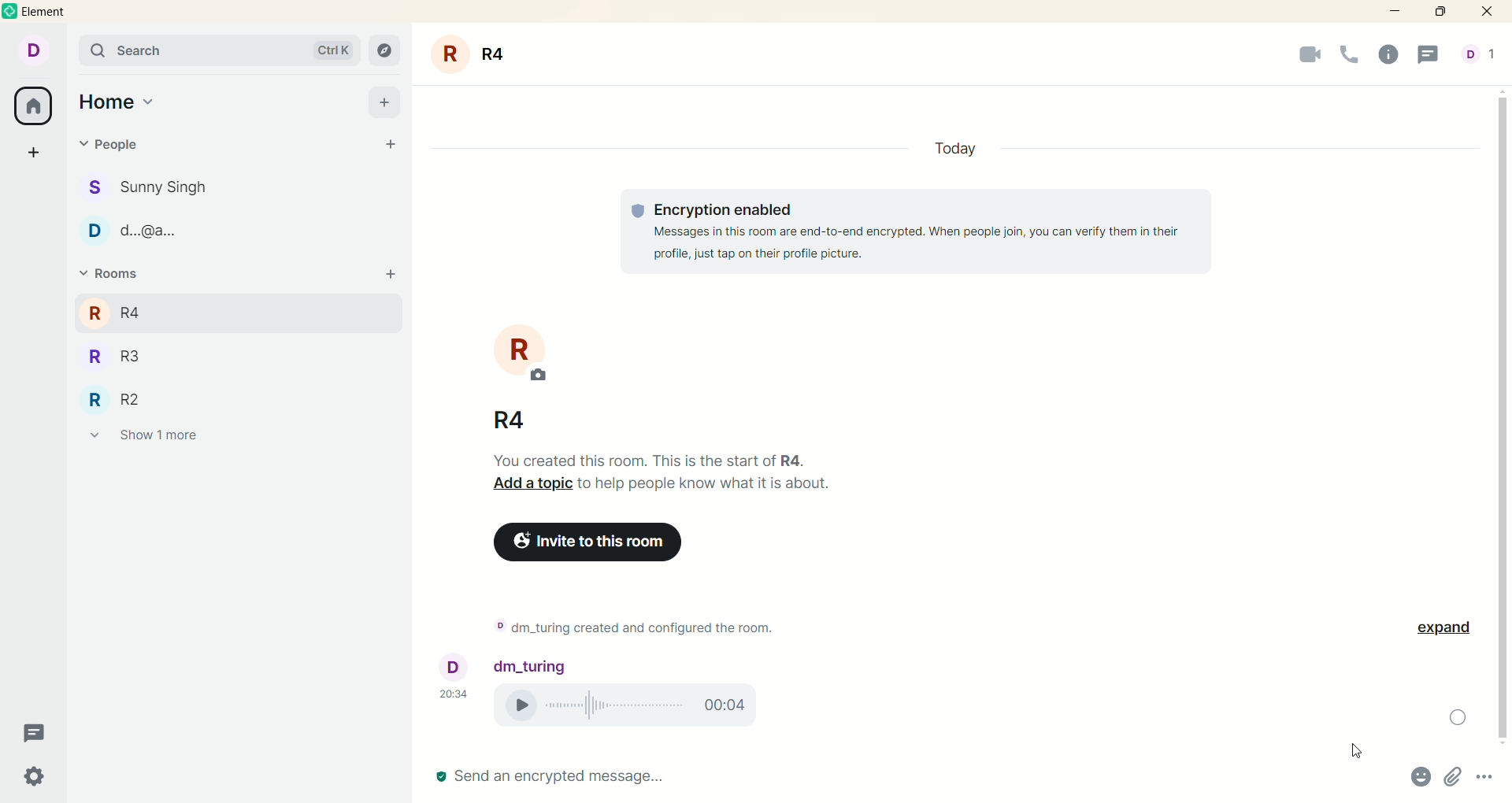  What do you see at coordinates (1478, 56) in the screenshot?
I see `people` at bounding box center [1478, 56].